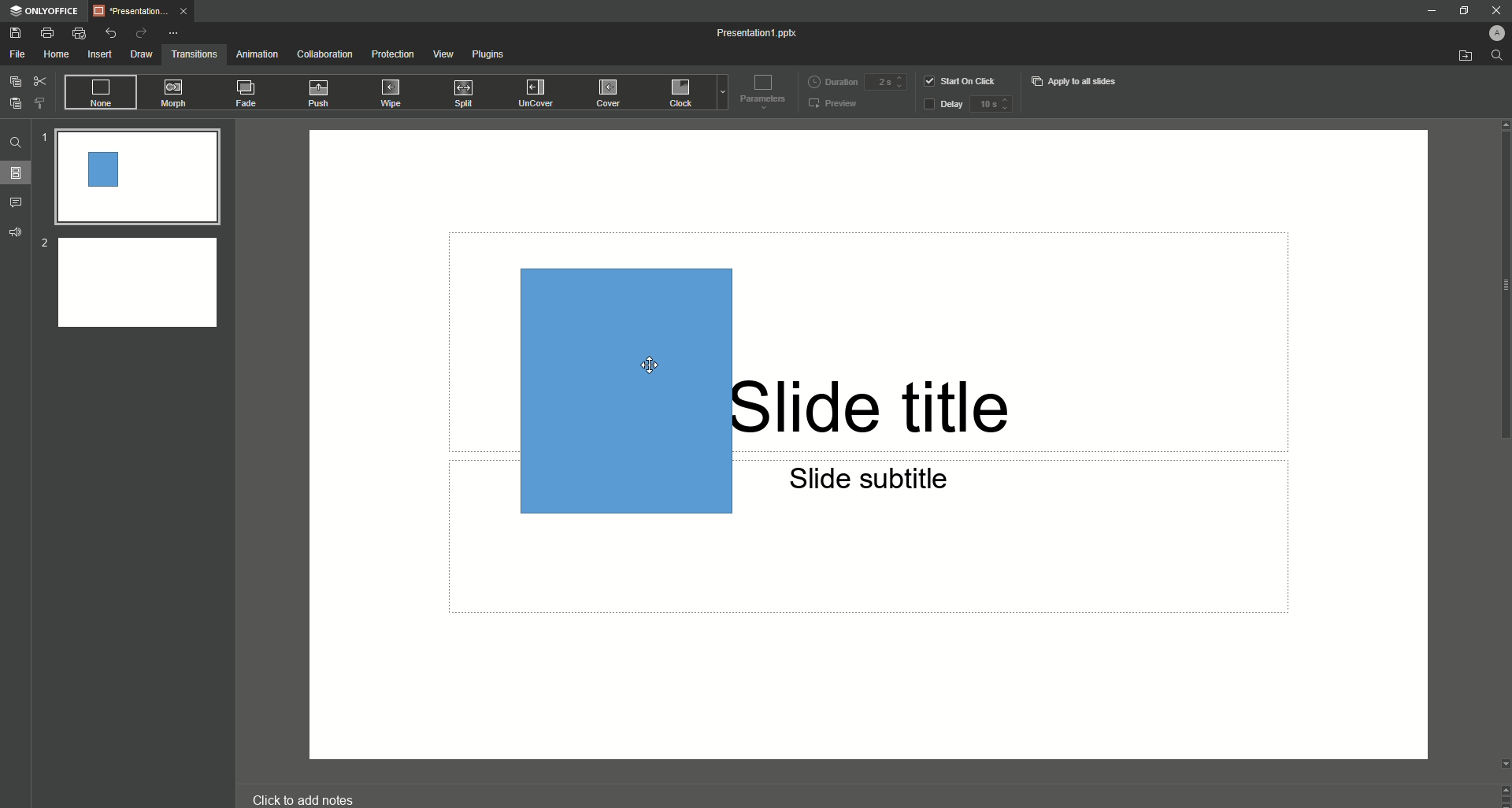  What do you see at coordinates (134, 179) in the screenshot?
I see `Slide 1 preview` at bounding box center [134, 179].